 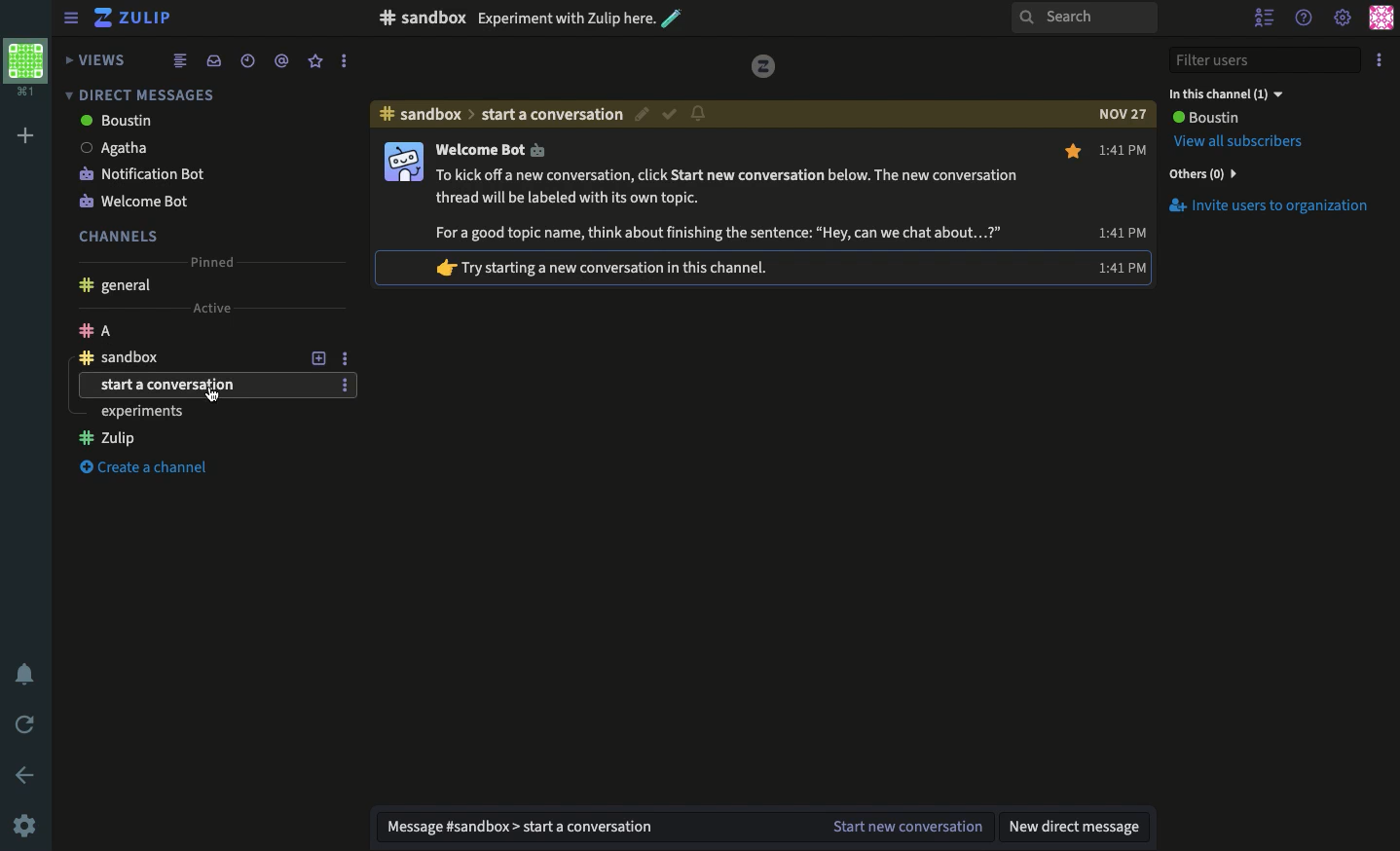 What do you see at coordinates (136, 94) in the screenshot?
I see `Direct messages` at bounding box center [136, 94].